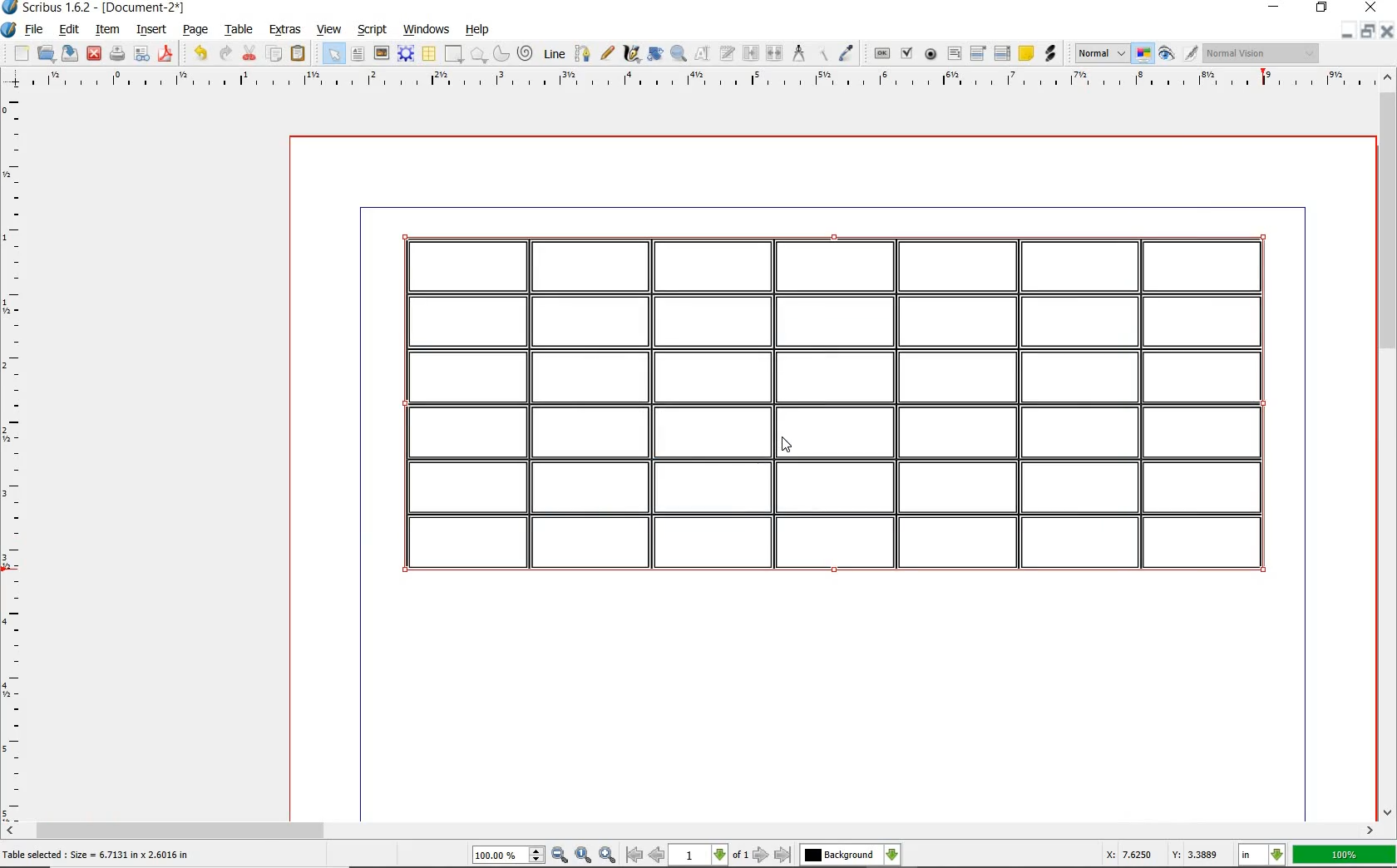 This screenshot has height=868, width=1397. I want to click on select item, so click(332, 52).